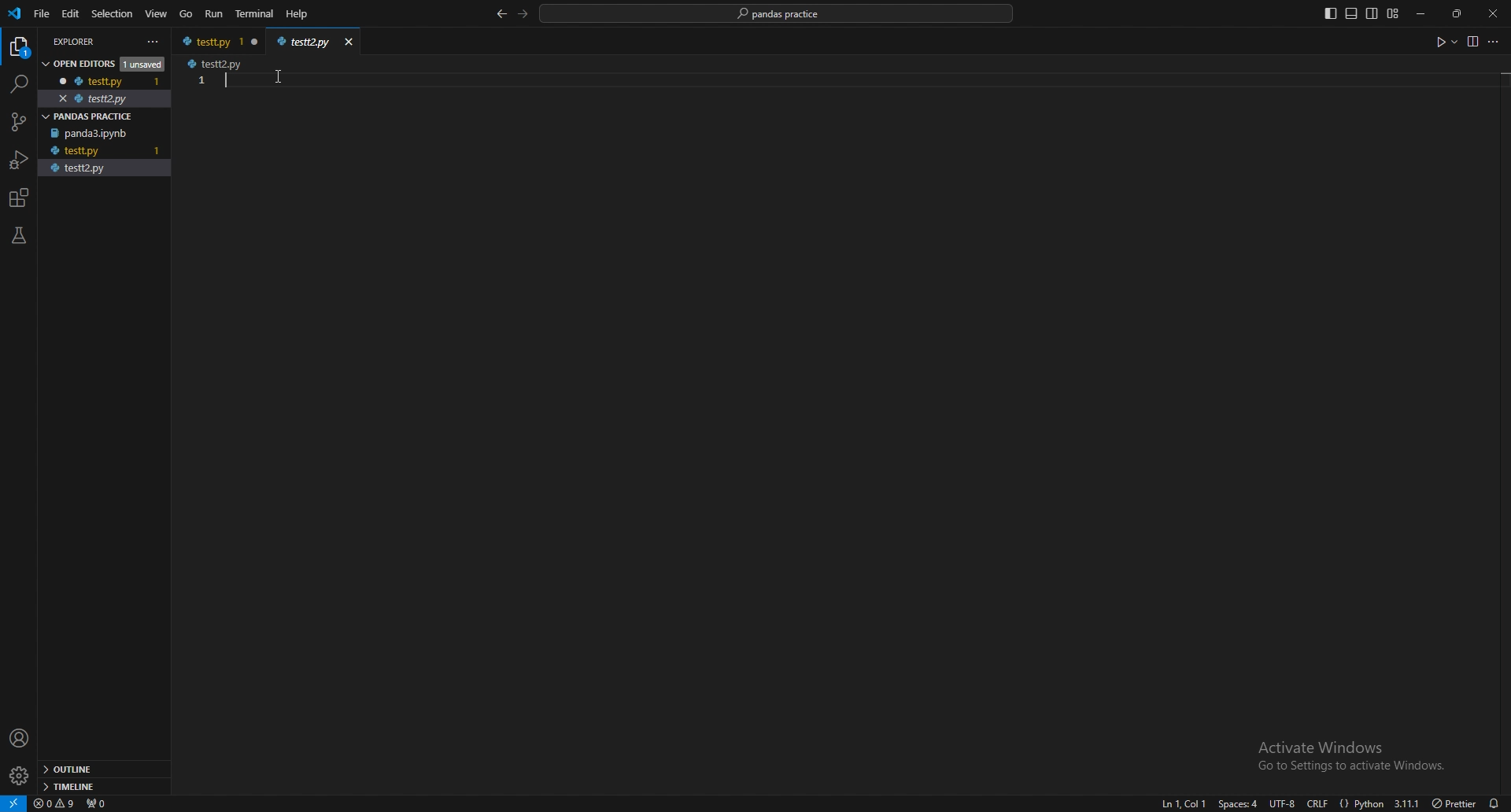 Image resolution: width=1511 pixels, height=812 pixels. Describe the element at coordinates (296, 14) in the screenshot. I see `Help` at that location.